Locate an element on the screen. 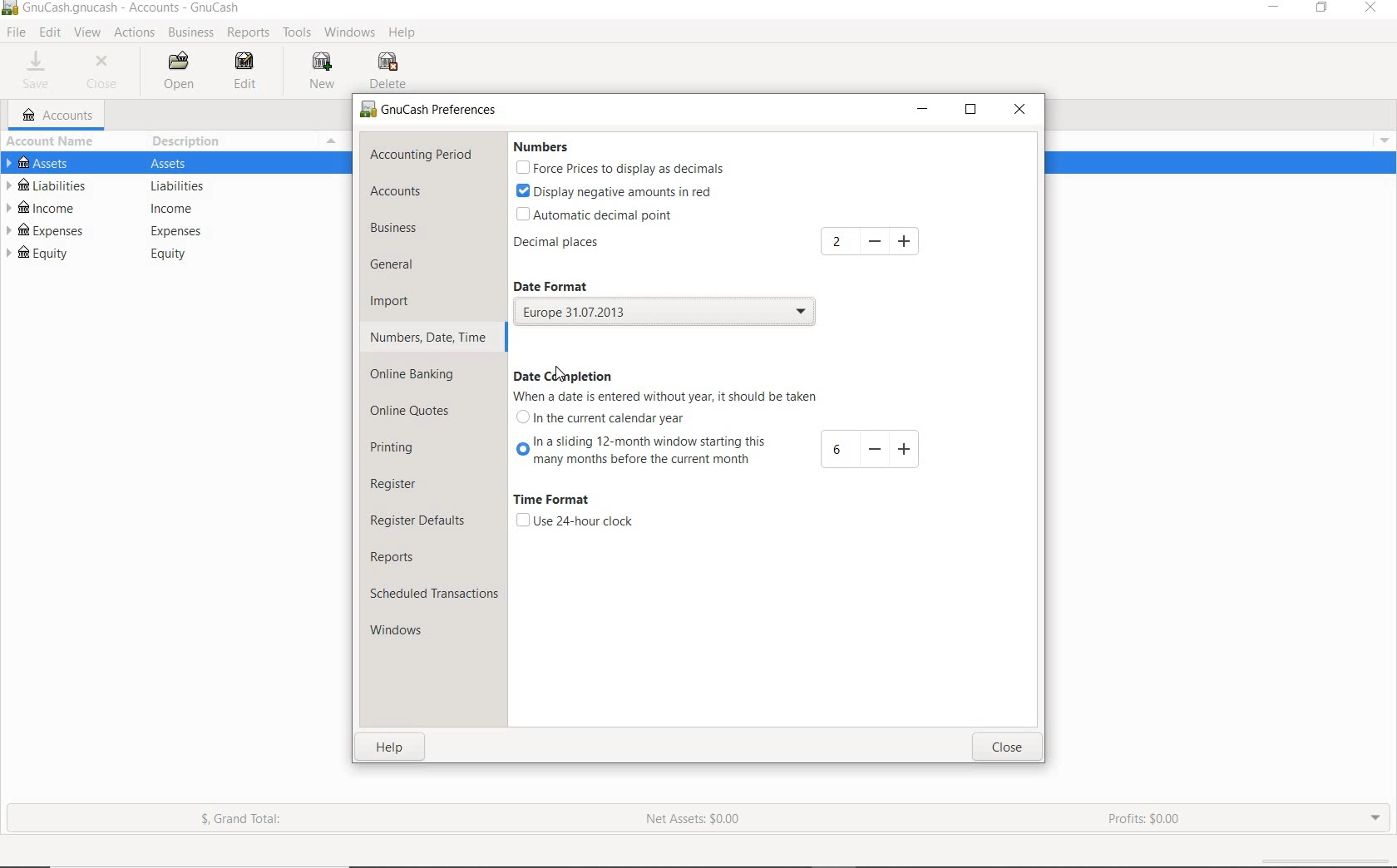  general is located at coordinates (402, 266).